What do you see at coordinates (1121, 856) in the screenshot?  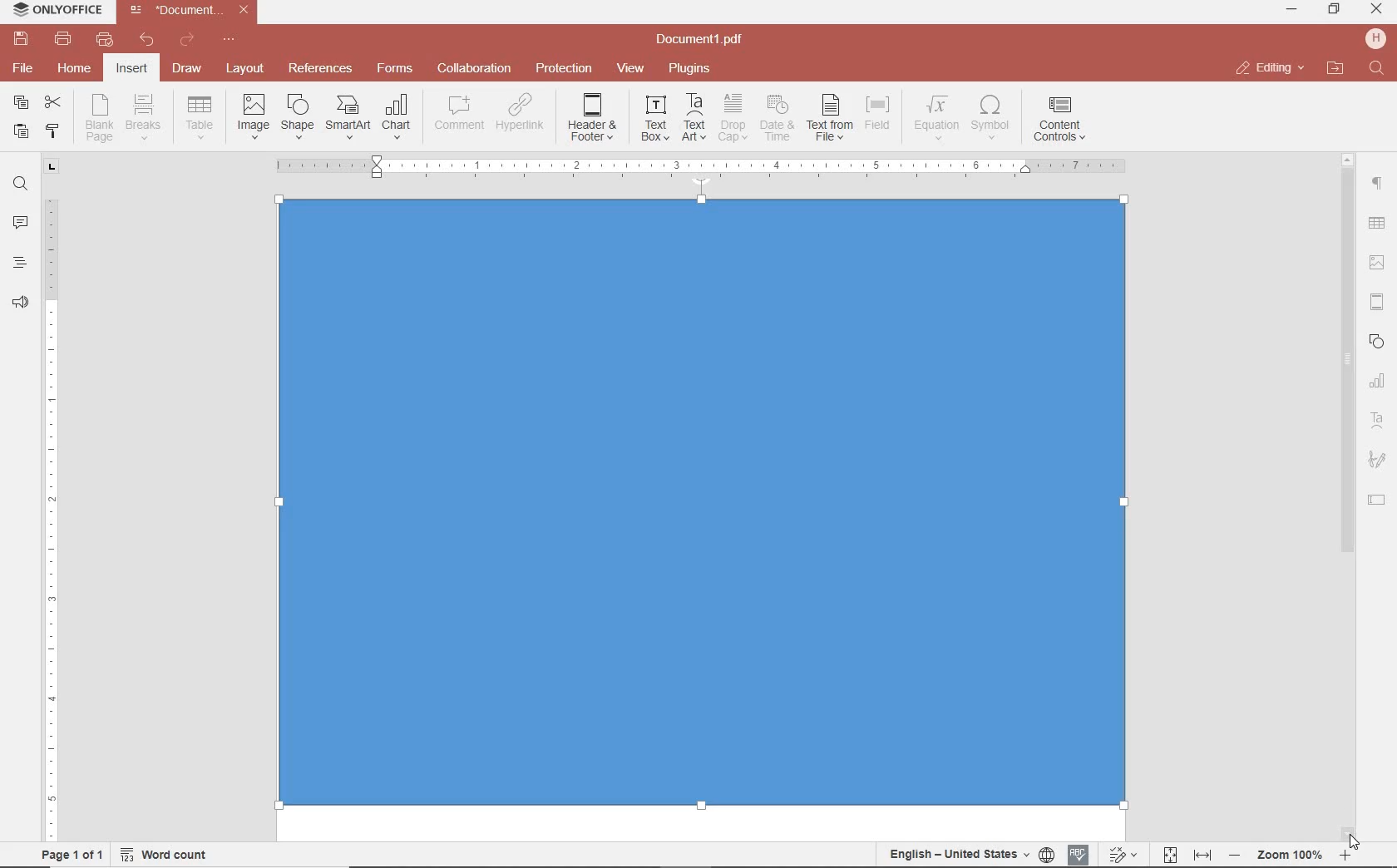 I see `track change` at bounding box center [1121, 856].